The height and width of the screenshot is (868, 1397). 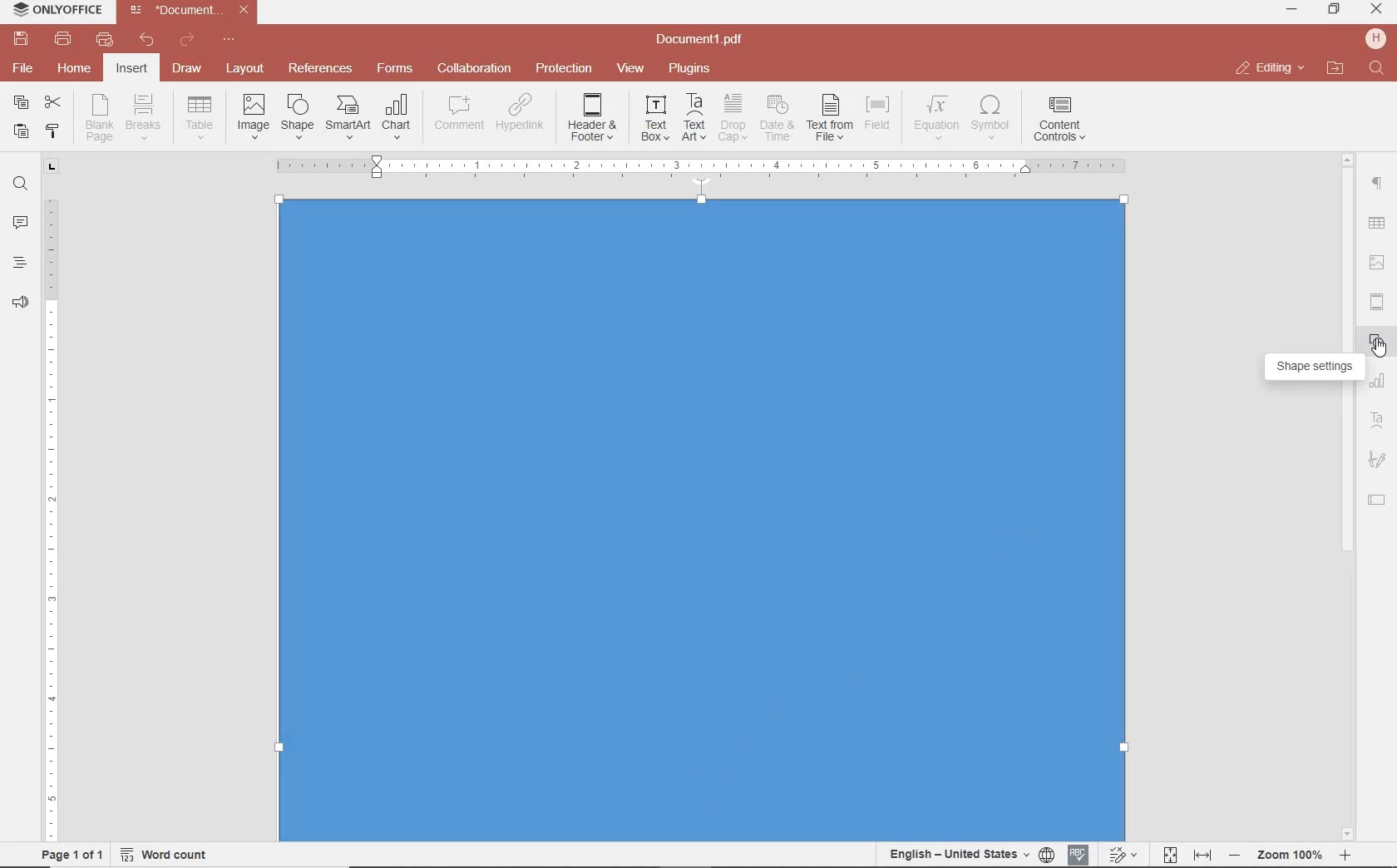 What do you see at coordinates (694, 118) in the screenshot?
I see `INSERT TEXT ART` at bounding box center [694, 118].